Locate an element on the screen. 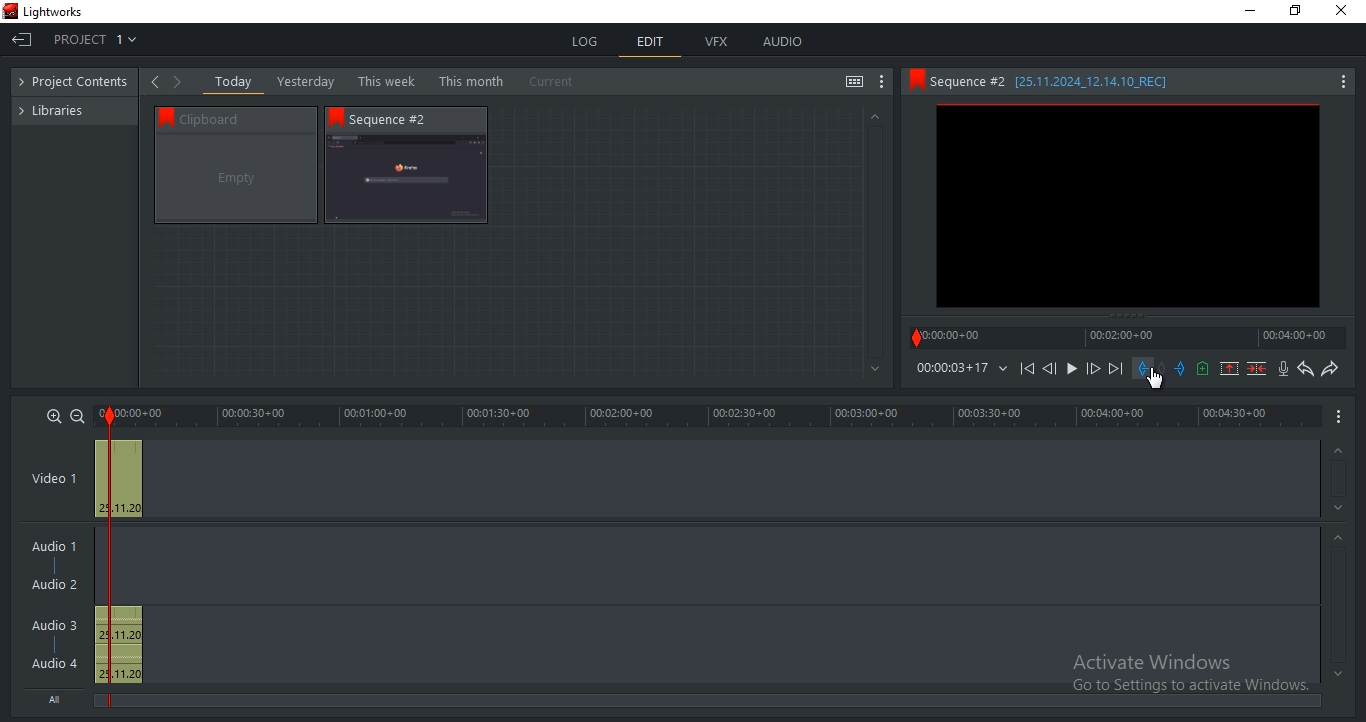 This screenshot has width=1366, height=722. show menu is located at coordinates (1340, 415).